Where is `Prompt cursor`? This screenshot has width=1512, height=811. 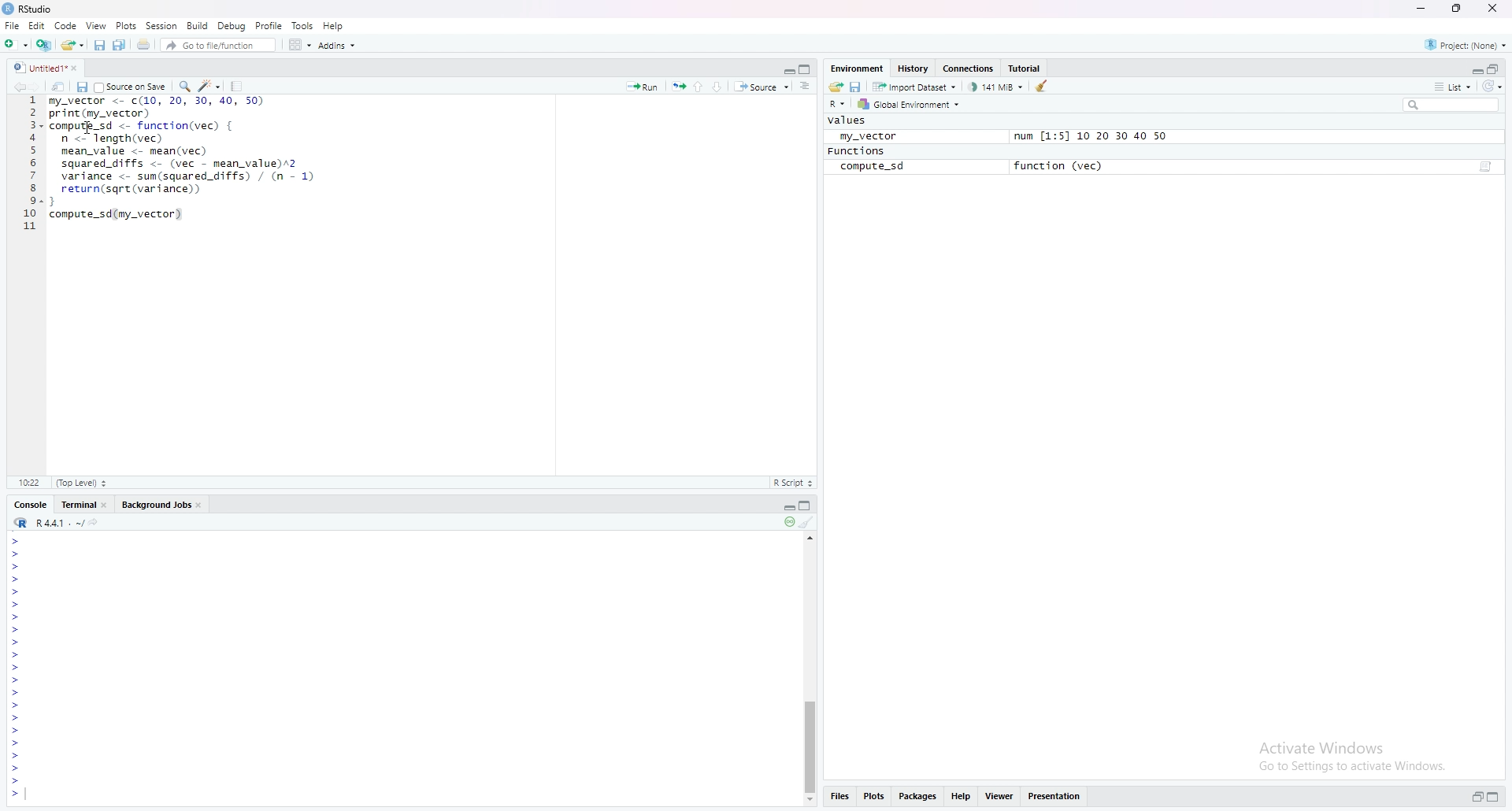 Prompt cursor is located at coordinates (14, 743).